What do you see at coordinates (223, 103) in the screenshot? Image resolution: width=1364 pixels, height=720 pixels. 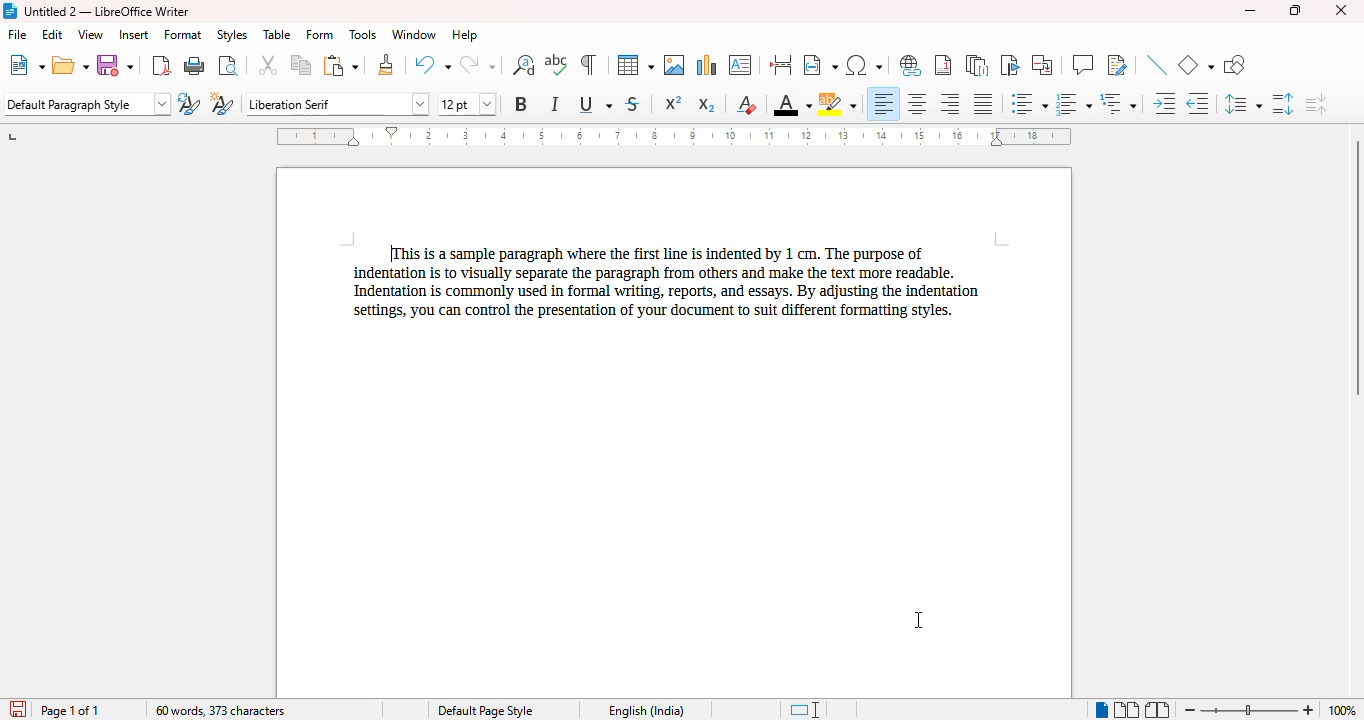 I see `new style from selection` at bounding box center [223, 103].